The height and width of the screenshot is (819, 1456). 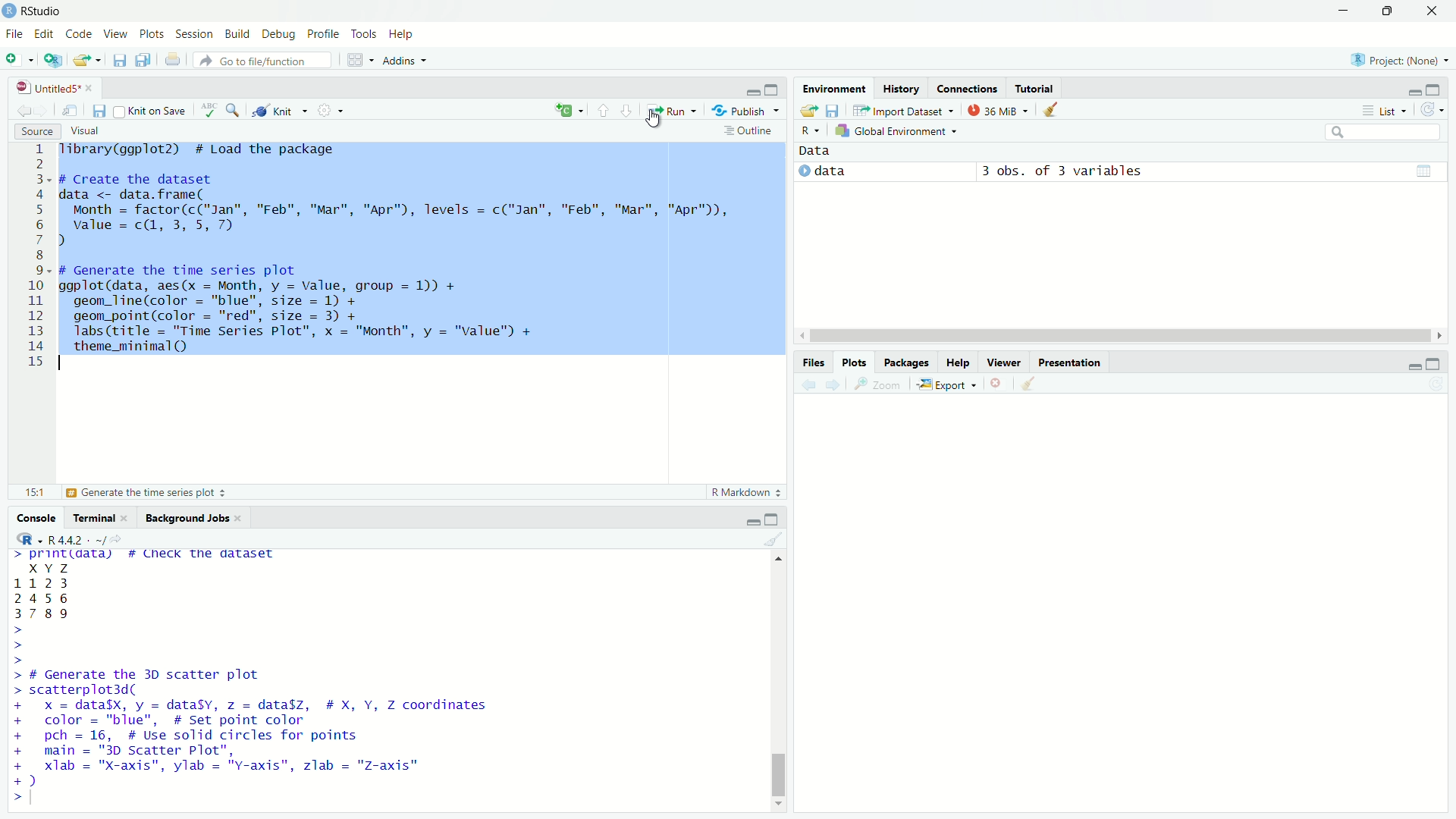 What do you see at coordinates (1441, 88) in the screenshot?
I see `maximize` at bounding box center [1441, 88].